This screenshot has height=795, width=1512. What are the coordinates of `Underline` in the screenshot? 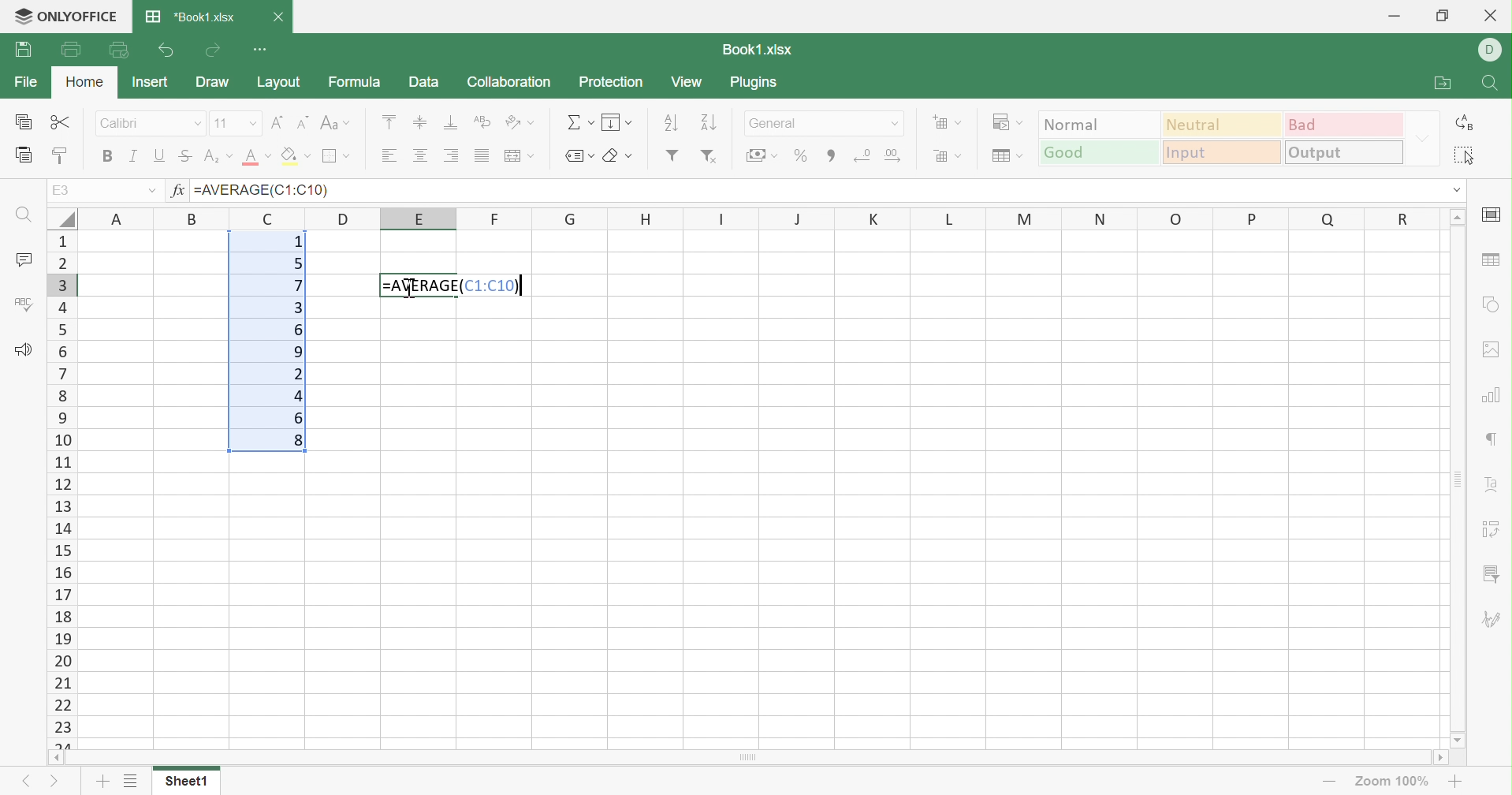 It's located at (161, 155).